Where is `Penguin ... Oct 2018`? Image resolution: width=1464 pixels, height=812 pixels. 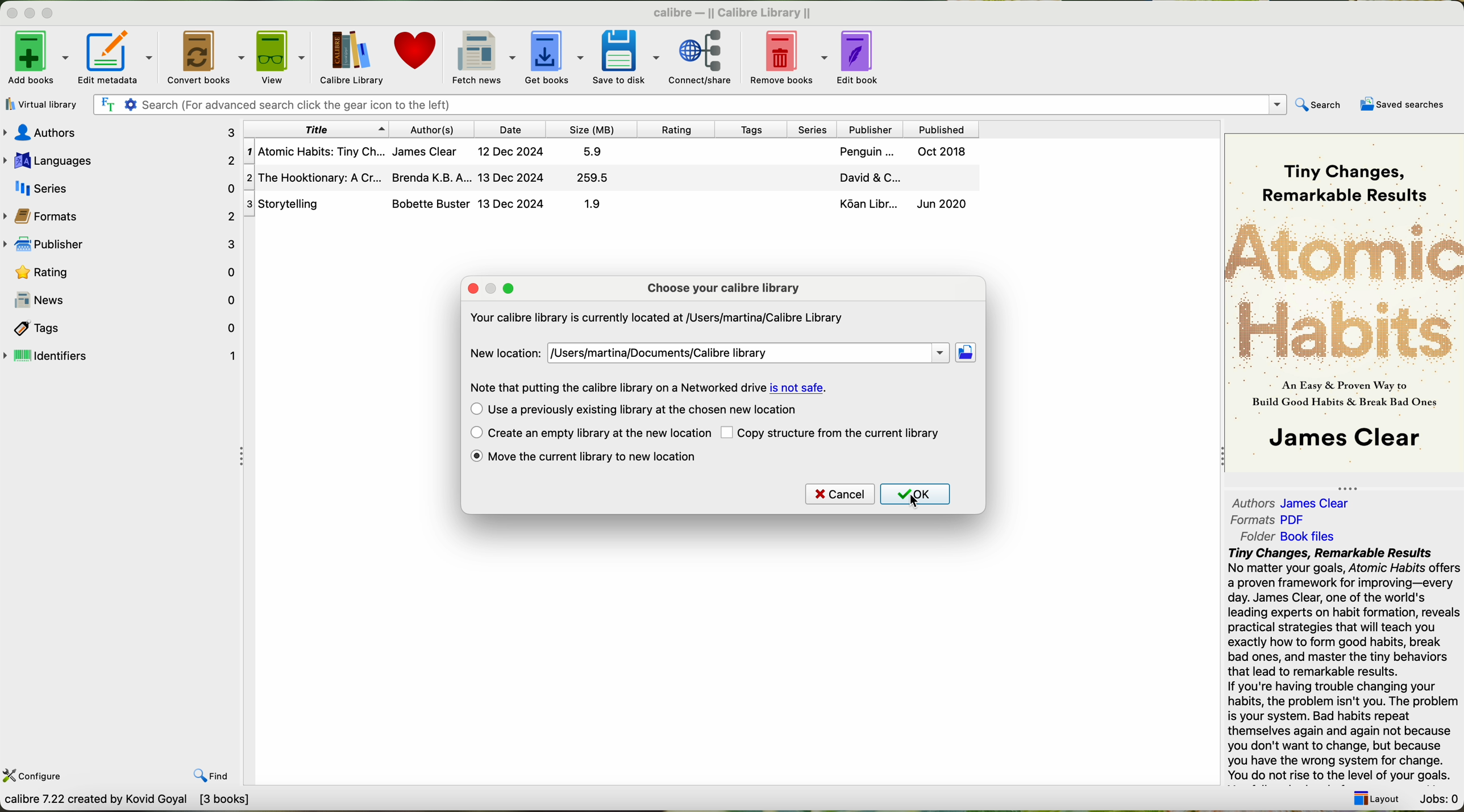
Penguin ... Oct 2018 is located at coordinates (902, 153).